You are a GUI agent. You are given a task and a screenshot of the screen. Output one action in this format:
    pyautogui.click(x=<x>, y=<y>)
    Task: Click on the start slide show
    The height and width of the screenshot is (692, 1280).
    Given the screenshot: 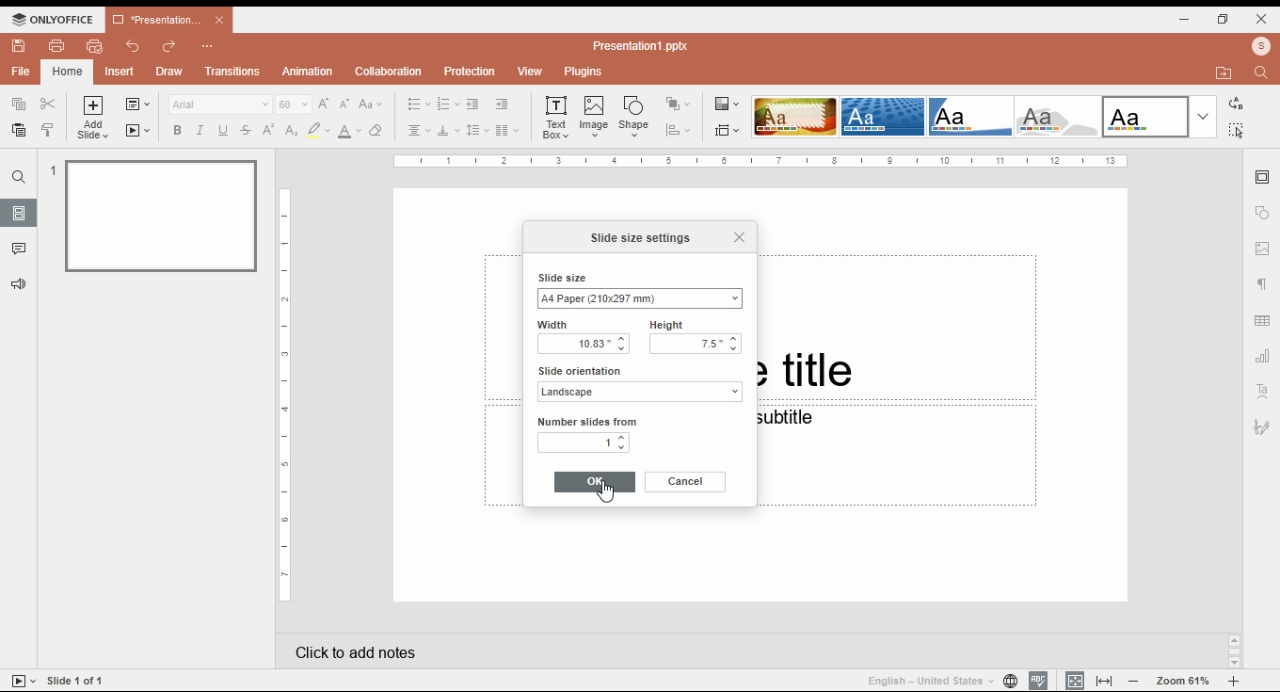 What is the action you would take?
    pyautogui.click(x=24, y=681)
    